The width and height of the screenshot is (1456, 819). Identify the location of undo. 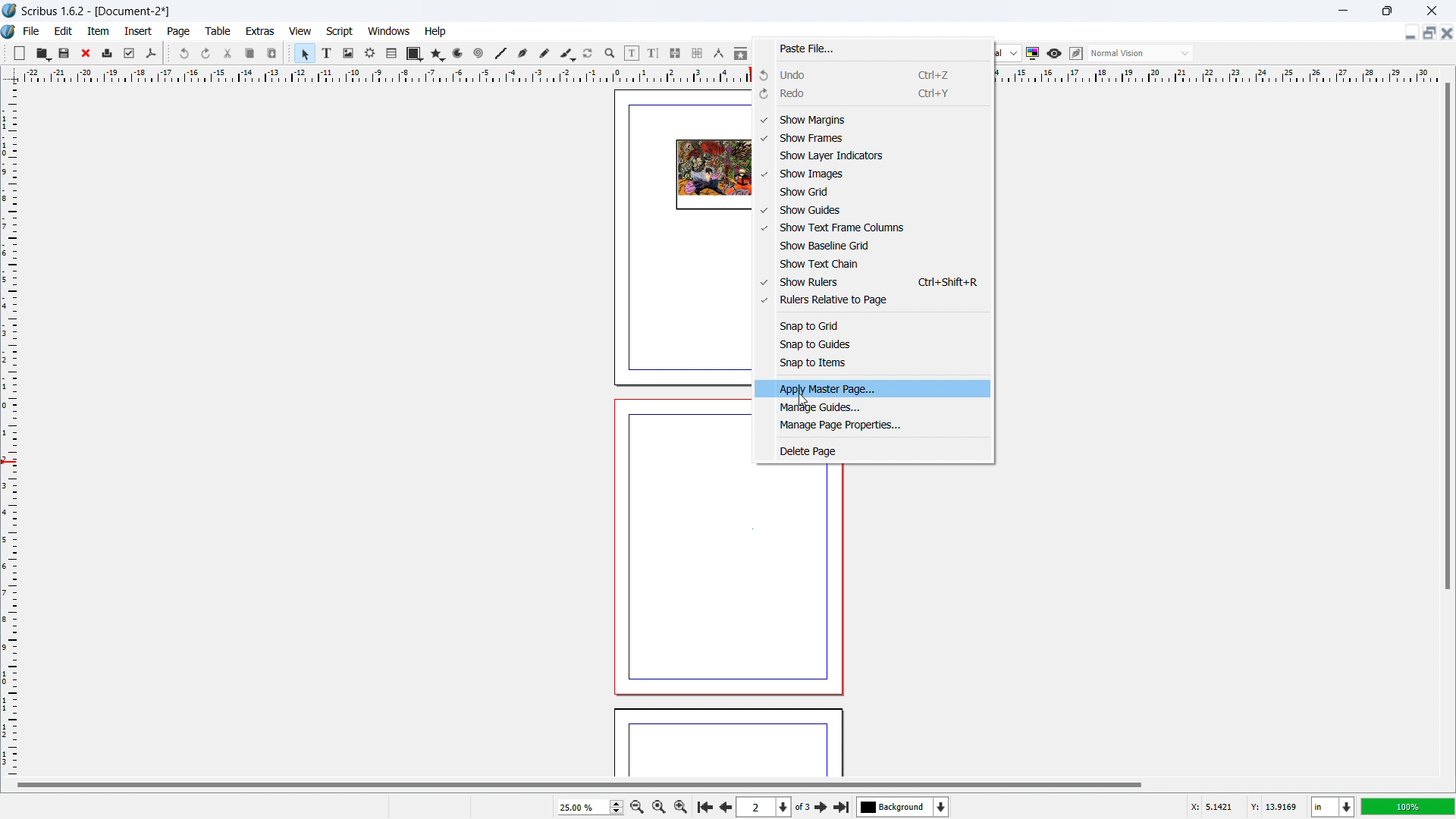
(873, 74).